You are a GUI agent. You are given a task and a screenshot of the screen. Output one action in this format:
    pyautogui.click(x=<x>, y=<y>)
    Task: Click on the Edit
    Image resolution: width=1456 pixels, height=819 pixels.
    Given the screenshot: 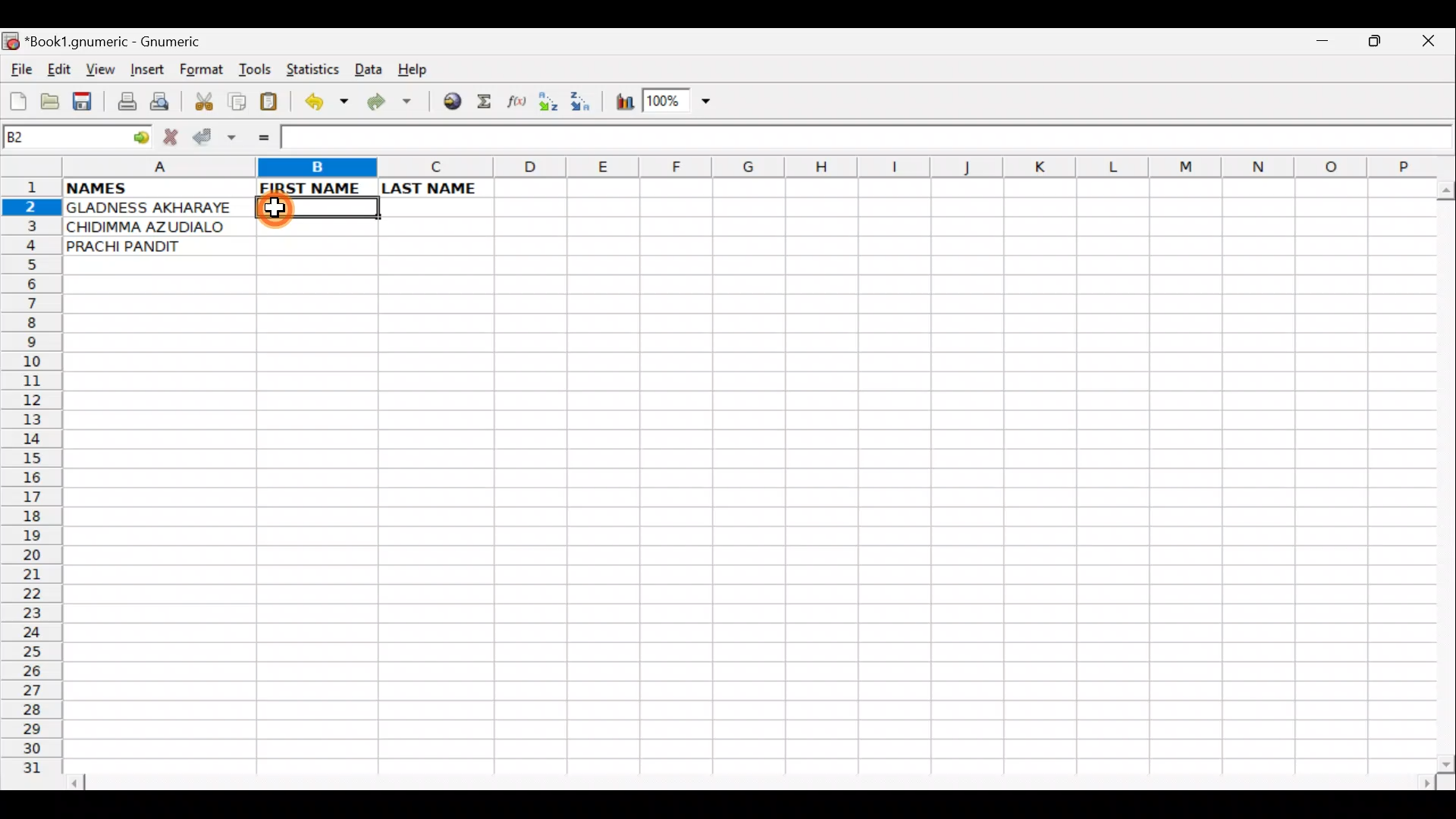 What is the action you would take?
    pyautogui.click(x=58, y=69)
    